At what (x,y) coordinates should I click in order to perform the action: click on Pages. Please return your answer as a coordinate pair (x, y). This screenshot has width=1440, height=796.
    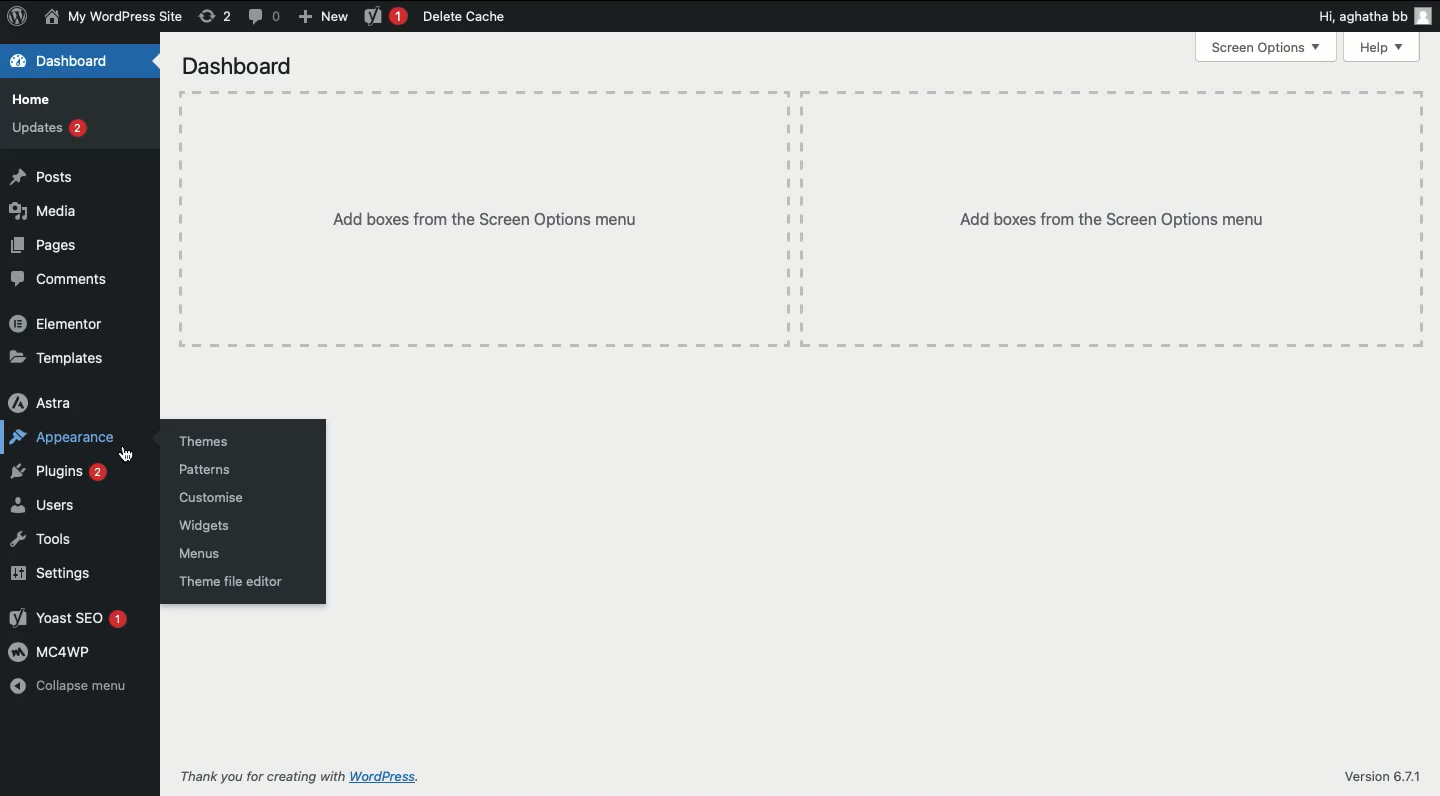
    Looking at the image, I should click on (59, 249).